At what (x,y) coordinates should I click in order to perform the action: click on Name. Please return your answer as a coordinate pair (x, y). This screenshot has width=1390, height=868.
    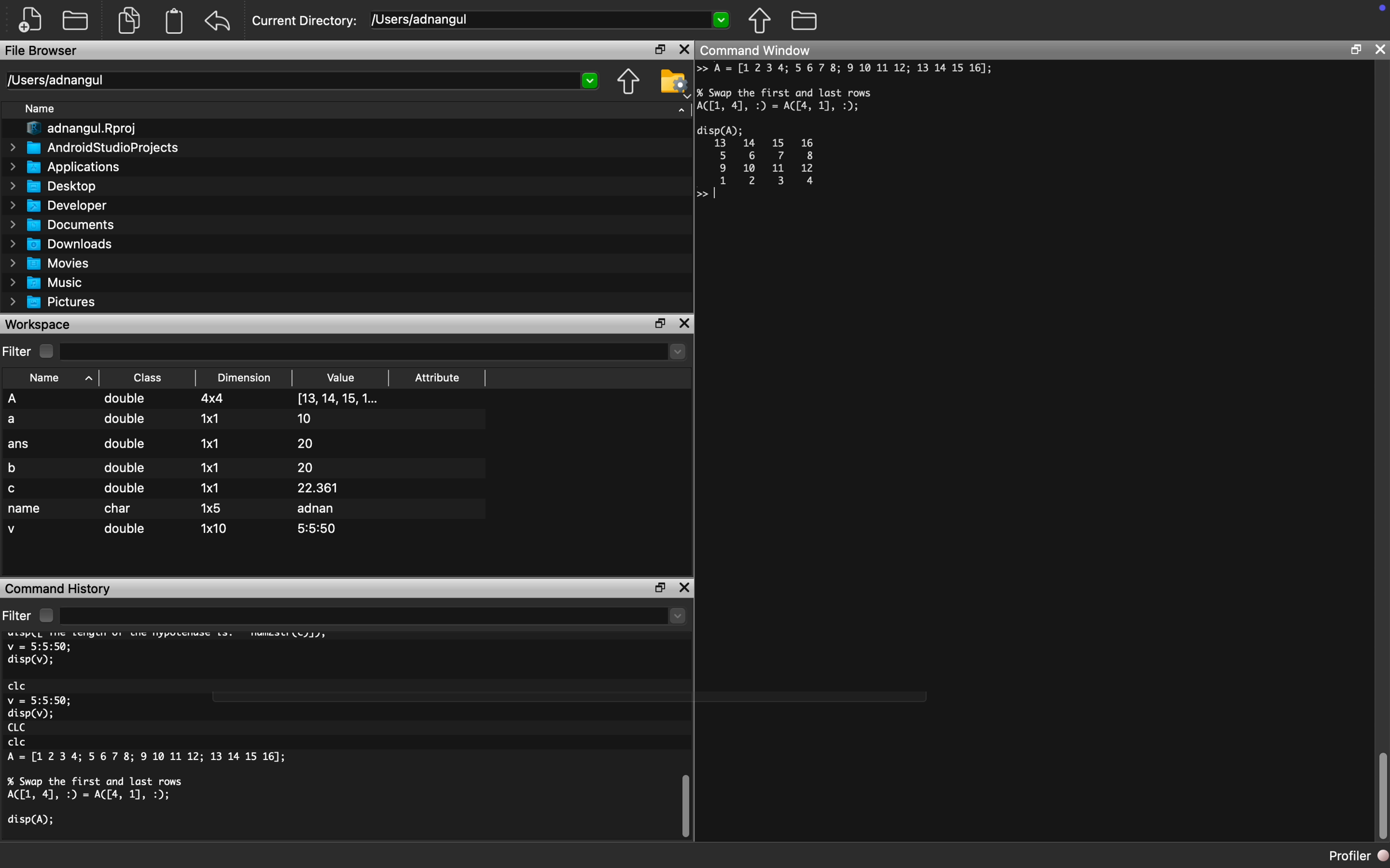
    Looking at the image, I should click on (43, 108).